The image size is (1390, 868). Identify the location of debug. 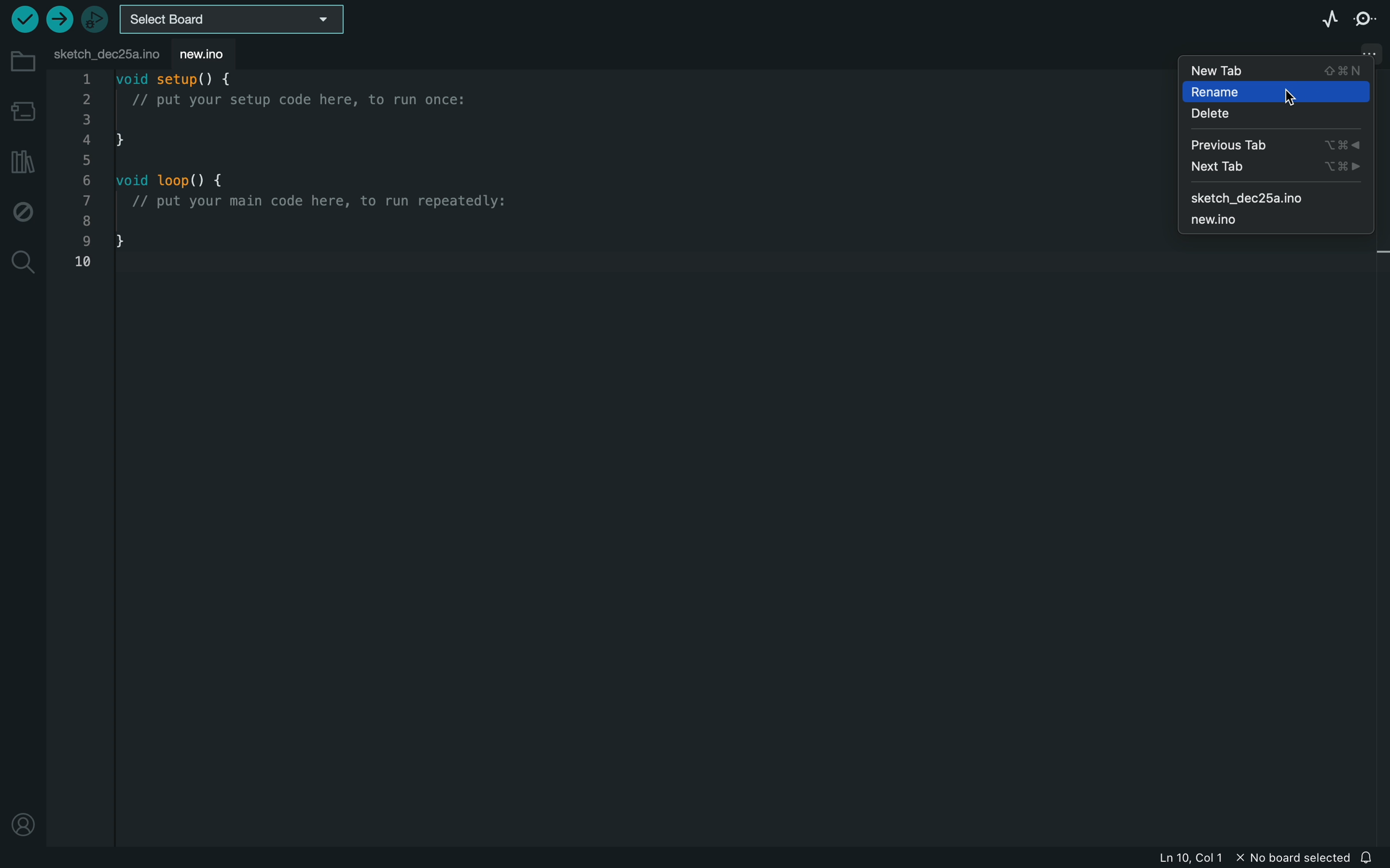
(23, 212).